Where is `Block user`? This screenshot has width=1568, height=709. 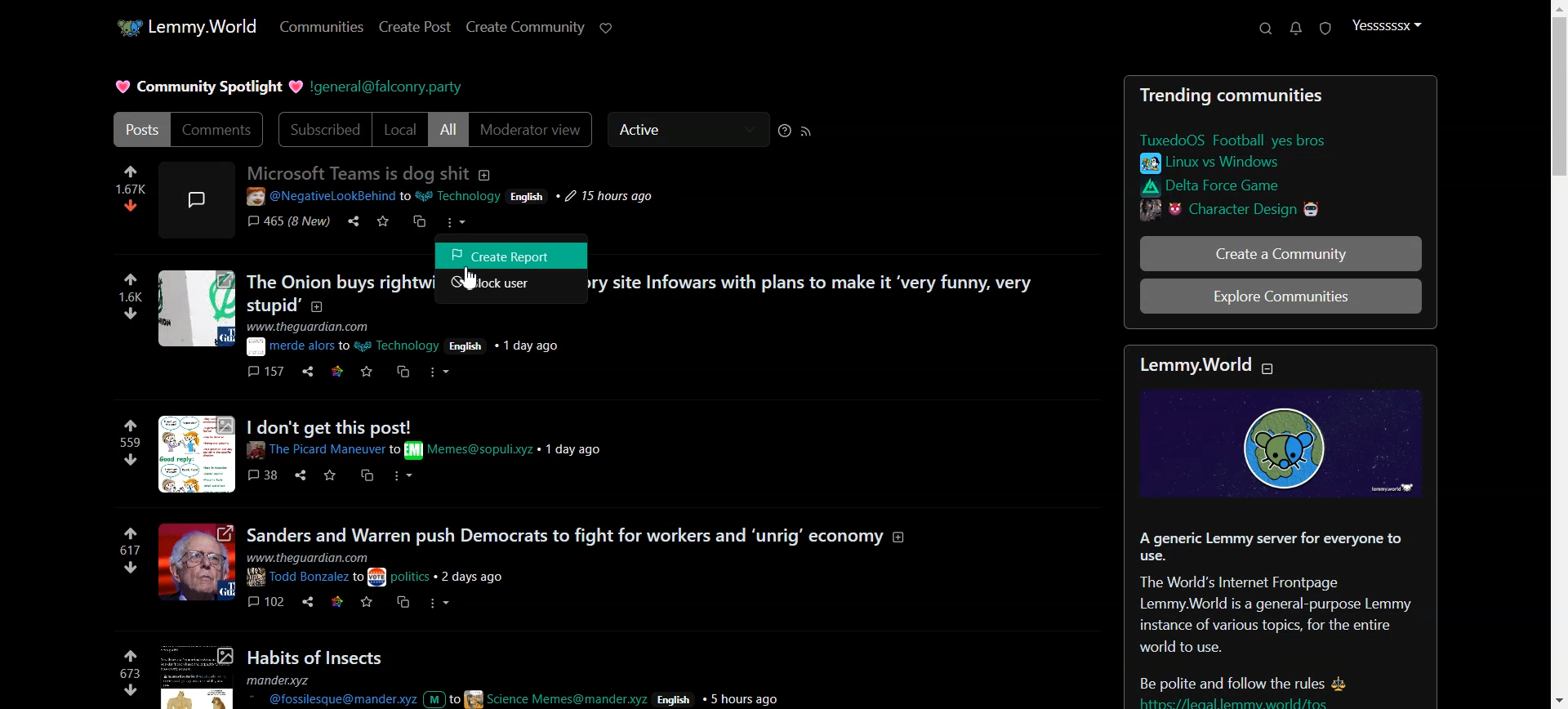 Block user is located at coordinates (511, 286).